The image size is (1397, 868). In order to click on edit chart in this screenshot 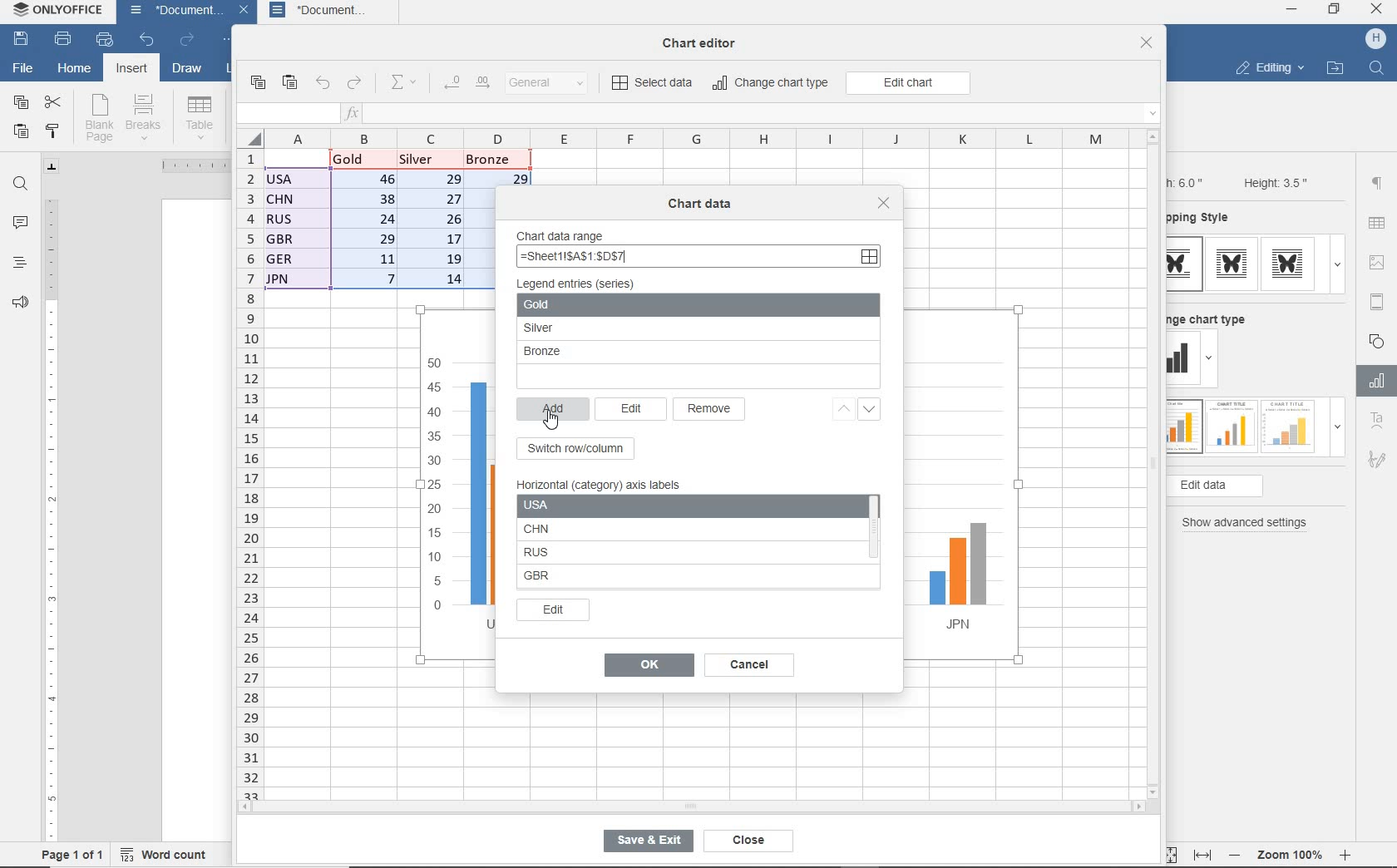, I will do `click(908, 83)`.